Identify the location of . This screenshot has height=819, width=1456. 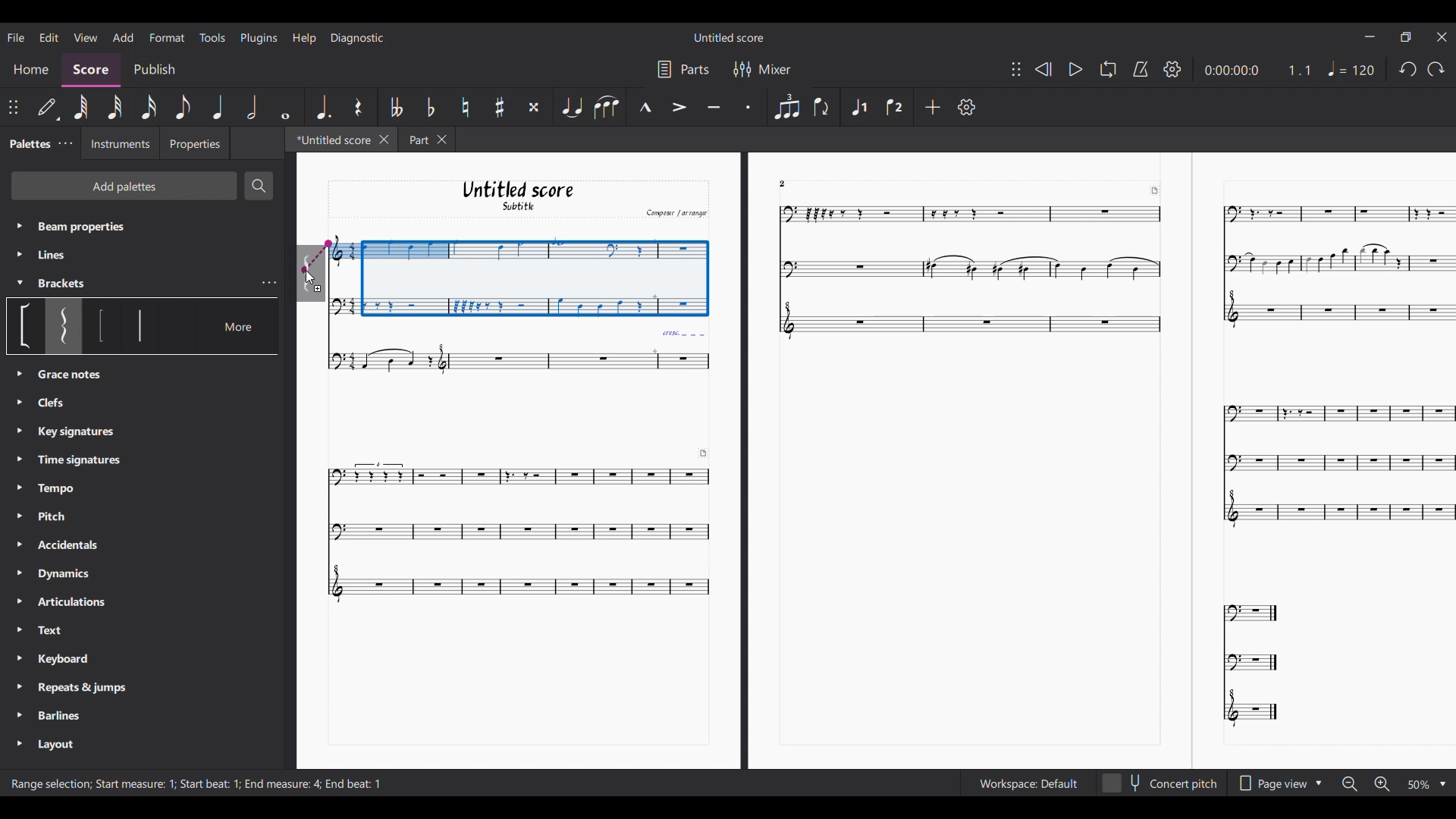
(16, 600).